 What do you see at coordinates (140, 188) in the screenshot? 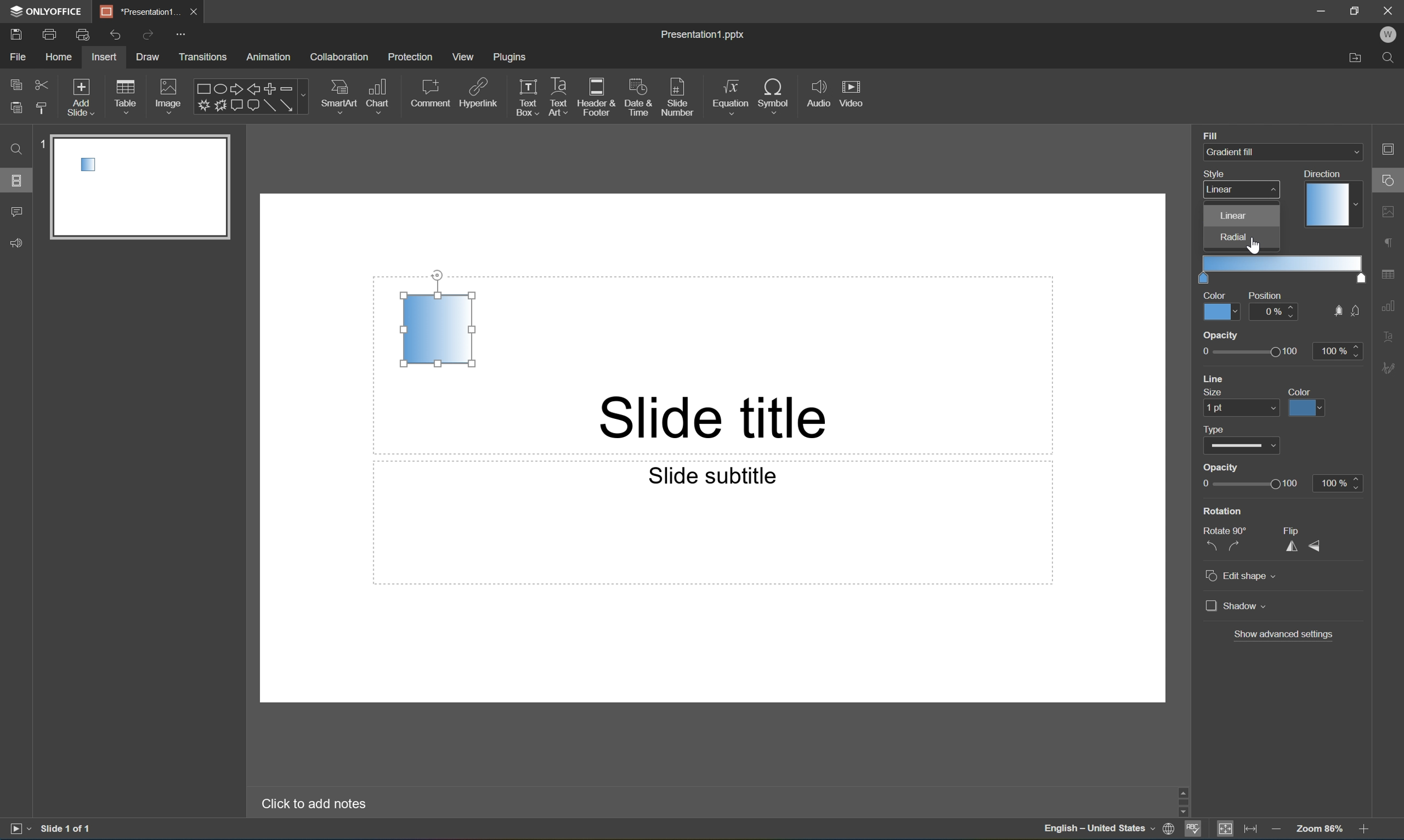
I see `slide` at bounding box center [140, 188].